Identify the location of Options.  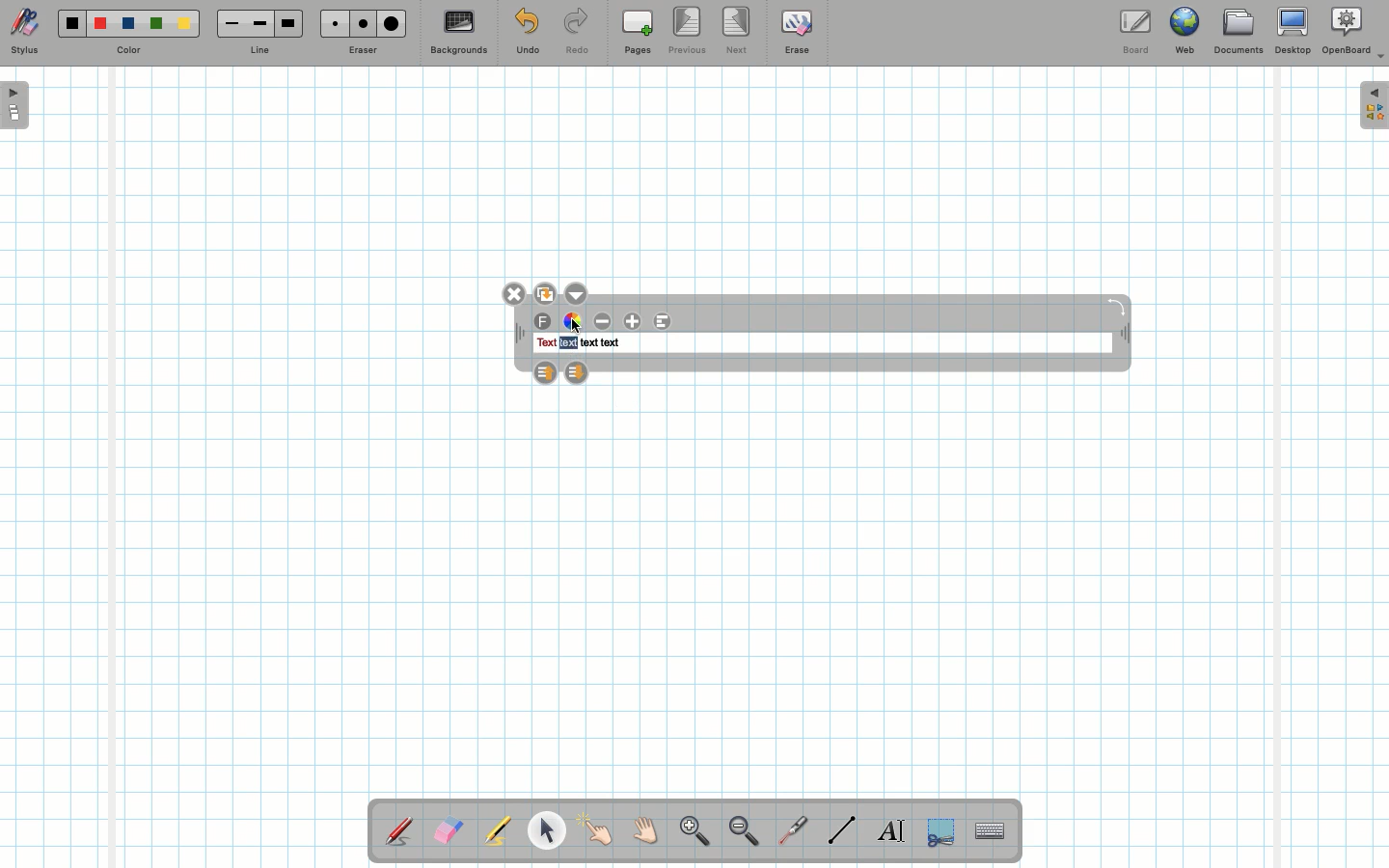
(581, 292).